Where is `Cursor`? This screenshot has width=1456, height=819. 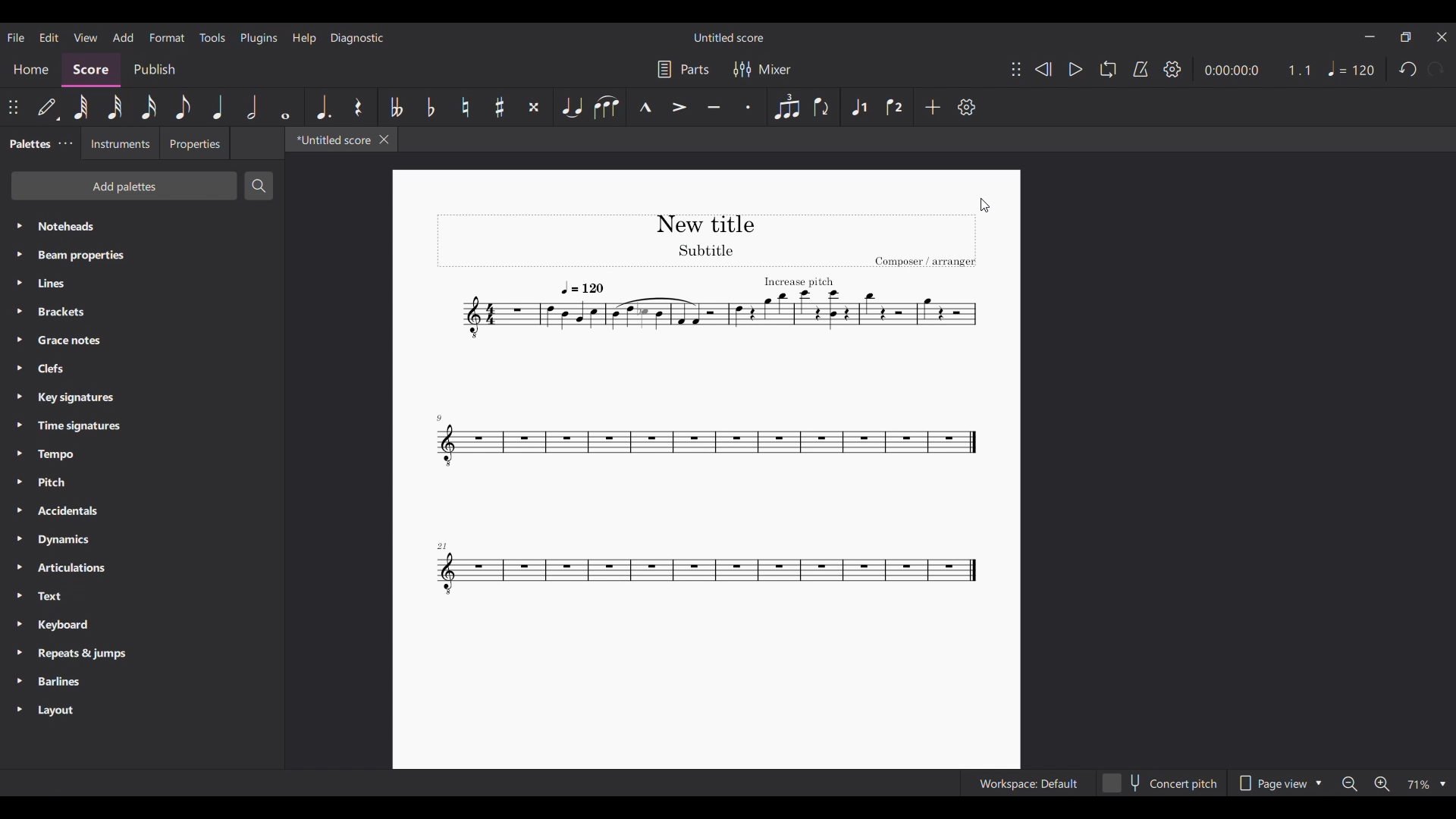 Cursor is located at coordinates (986, 205).